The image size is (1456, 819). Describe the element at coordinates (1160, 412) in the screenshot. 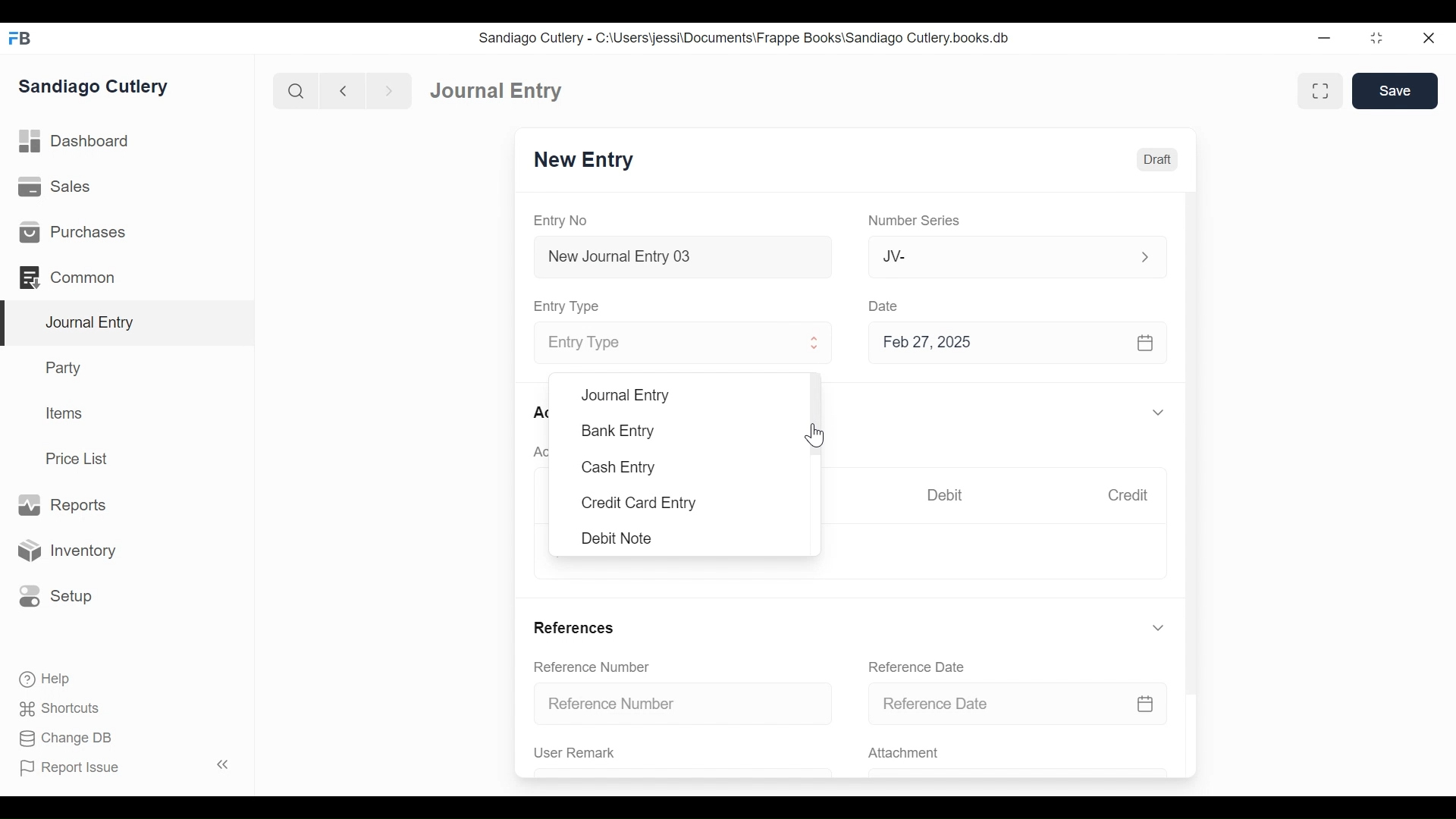

I see `Expand` at that location.